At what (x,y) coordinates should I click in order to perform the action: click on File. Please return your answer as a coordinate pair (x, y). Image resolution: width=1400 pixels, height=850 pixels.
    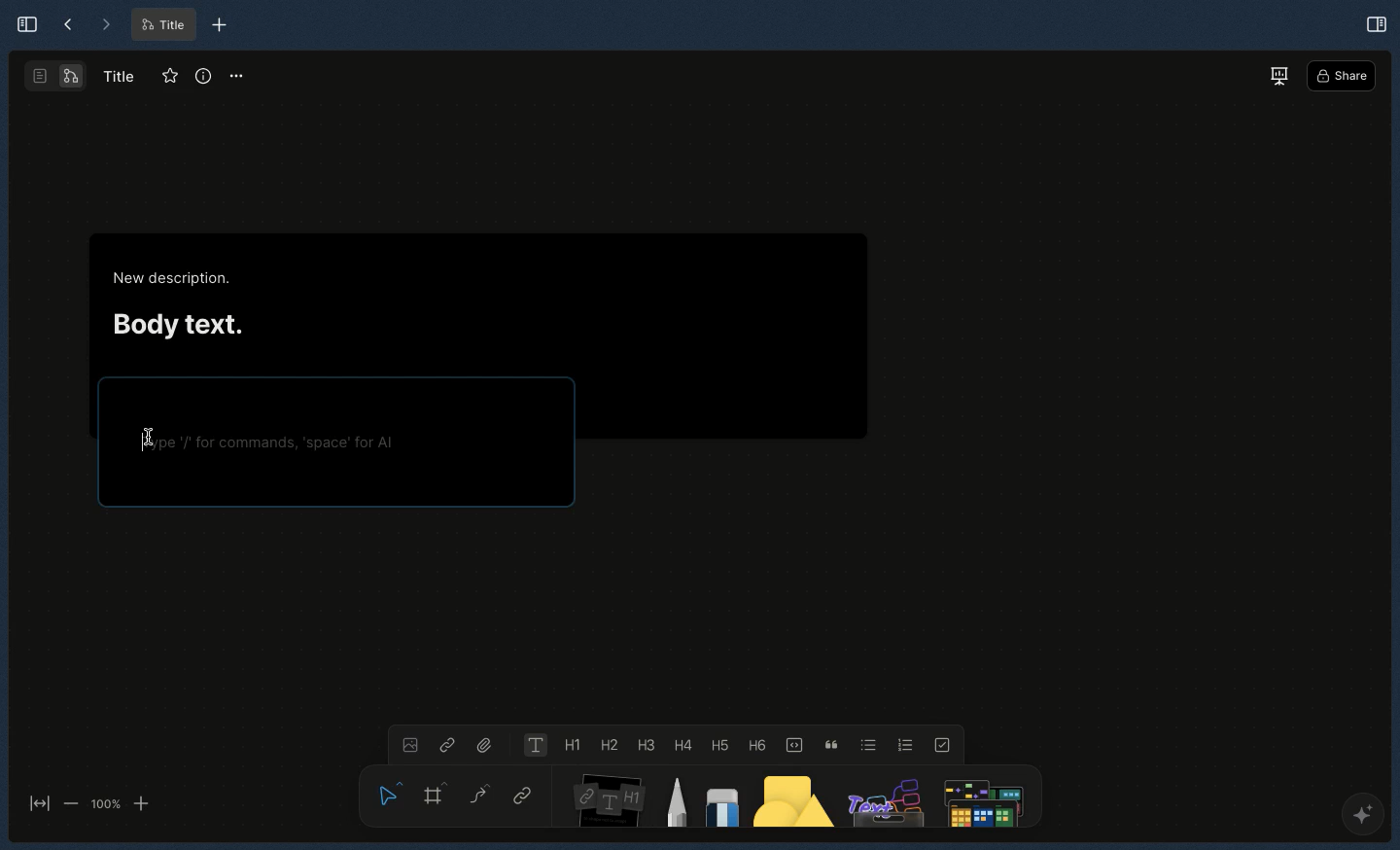
    Looking at the image, I should click on (486, 743).